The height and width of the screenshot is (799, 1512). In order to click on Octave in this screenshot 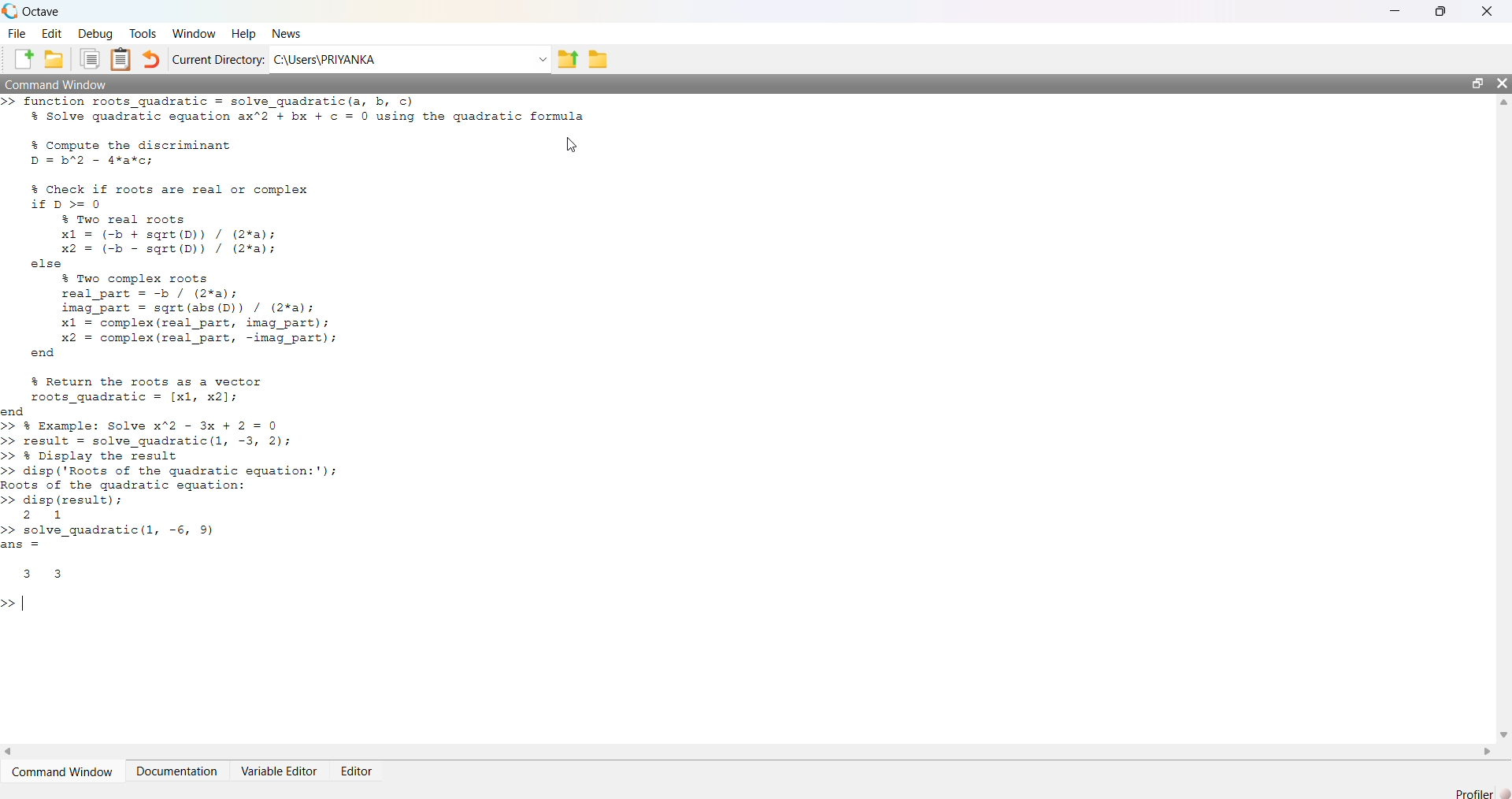, I will do `click(37, 11)`.